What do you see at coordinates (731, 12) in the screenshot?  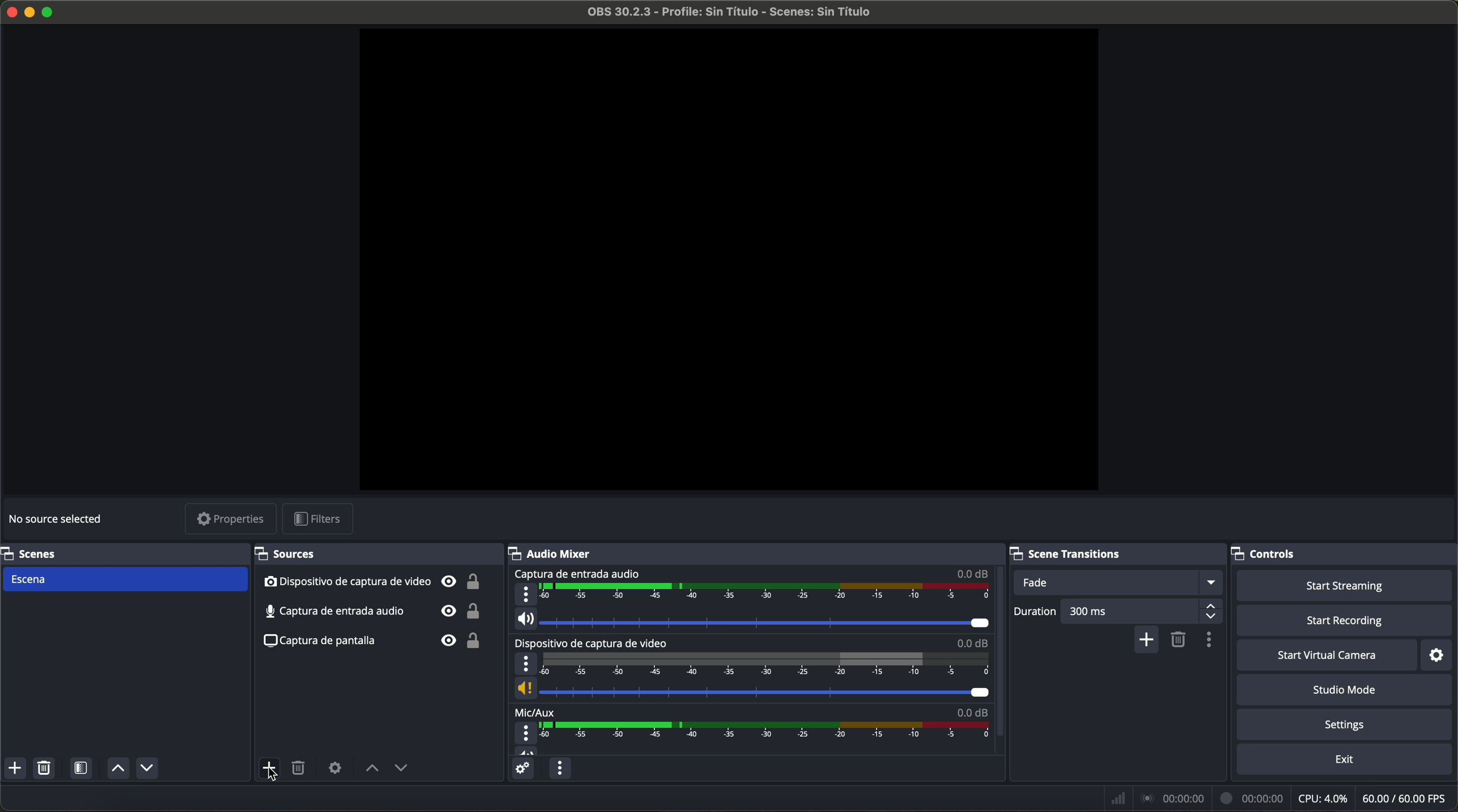 I see `filename` at bounding box center [731, 12].